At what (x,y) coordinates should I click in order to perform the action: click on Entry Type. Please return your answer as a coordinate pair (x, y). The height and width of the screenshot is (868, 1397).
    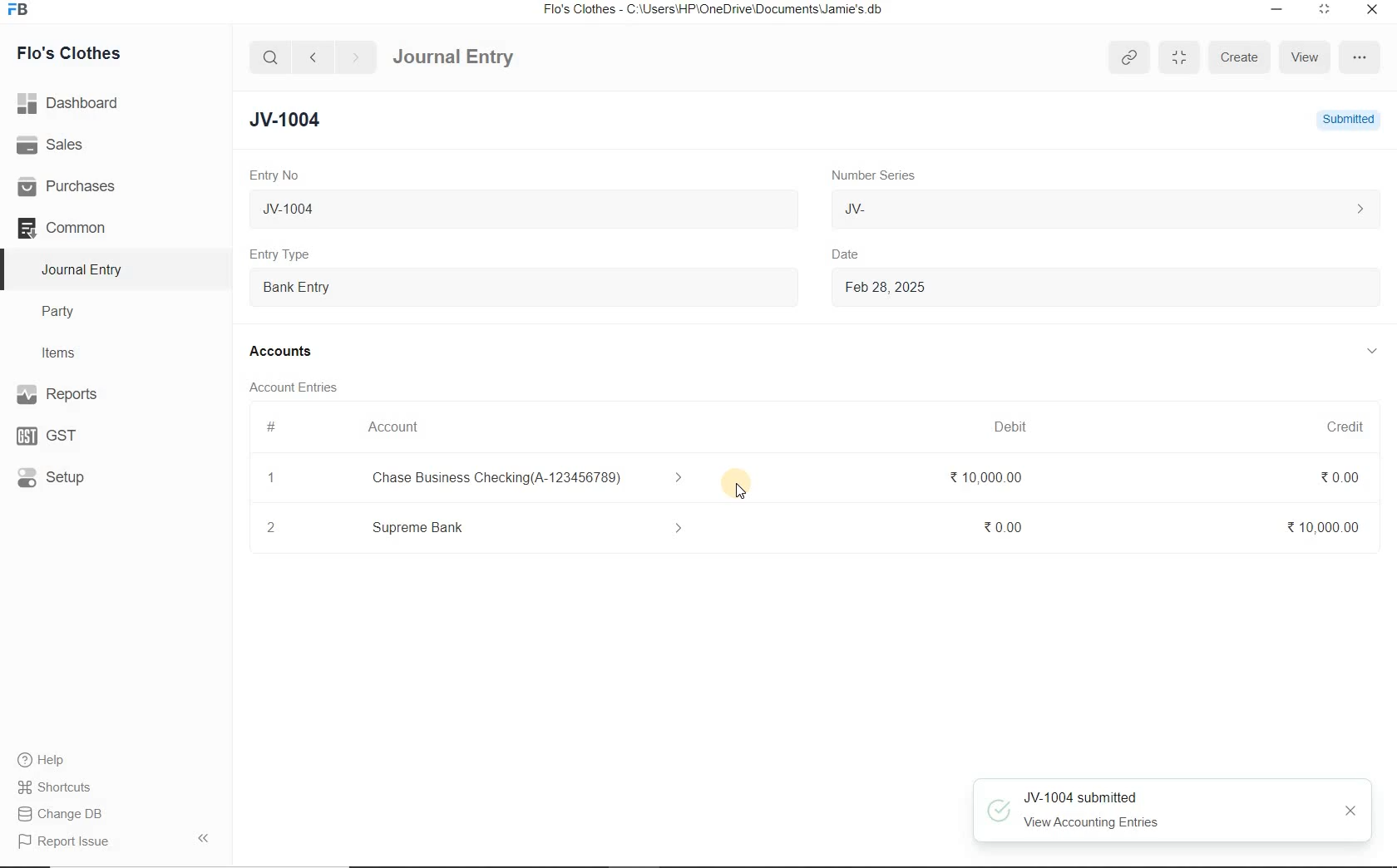
    Looking at the image, I should click on (285, 254).